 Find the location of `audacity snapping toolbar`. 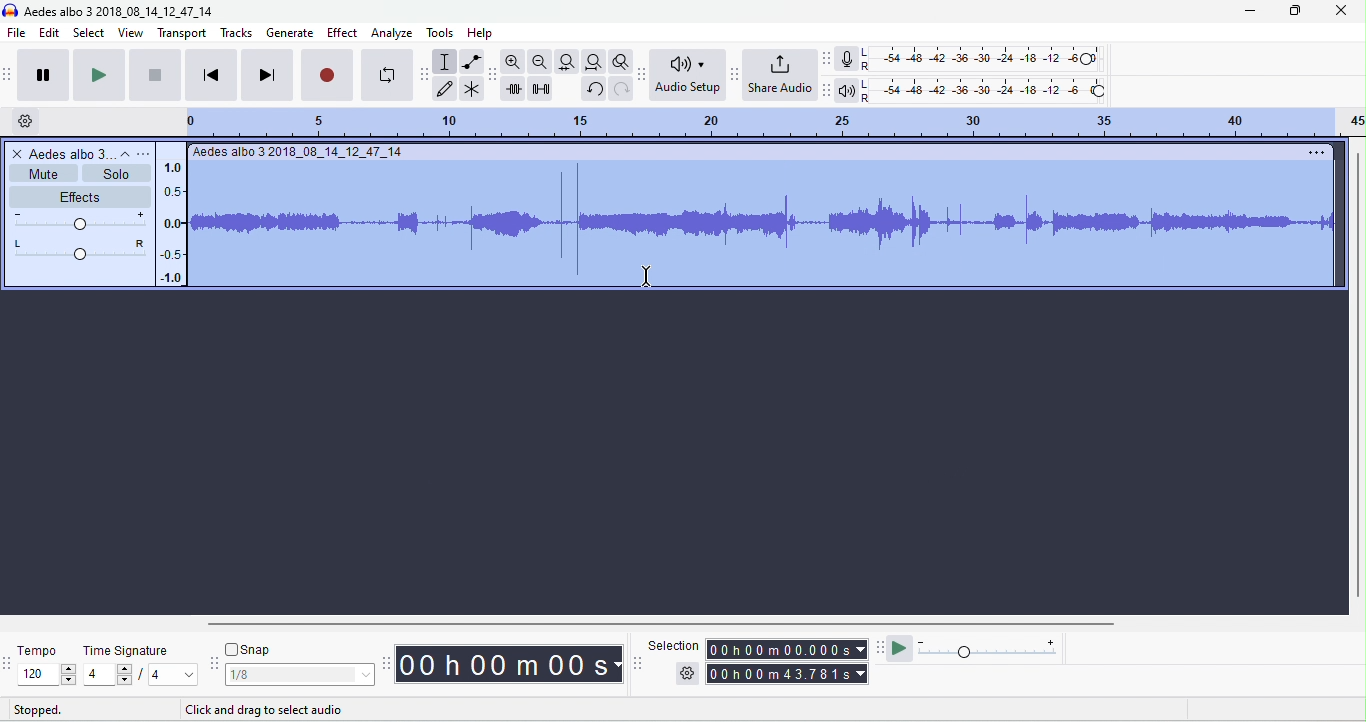

audacity snapping toolbar is located at coordinates (215, 663).